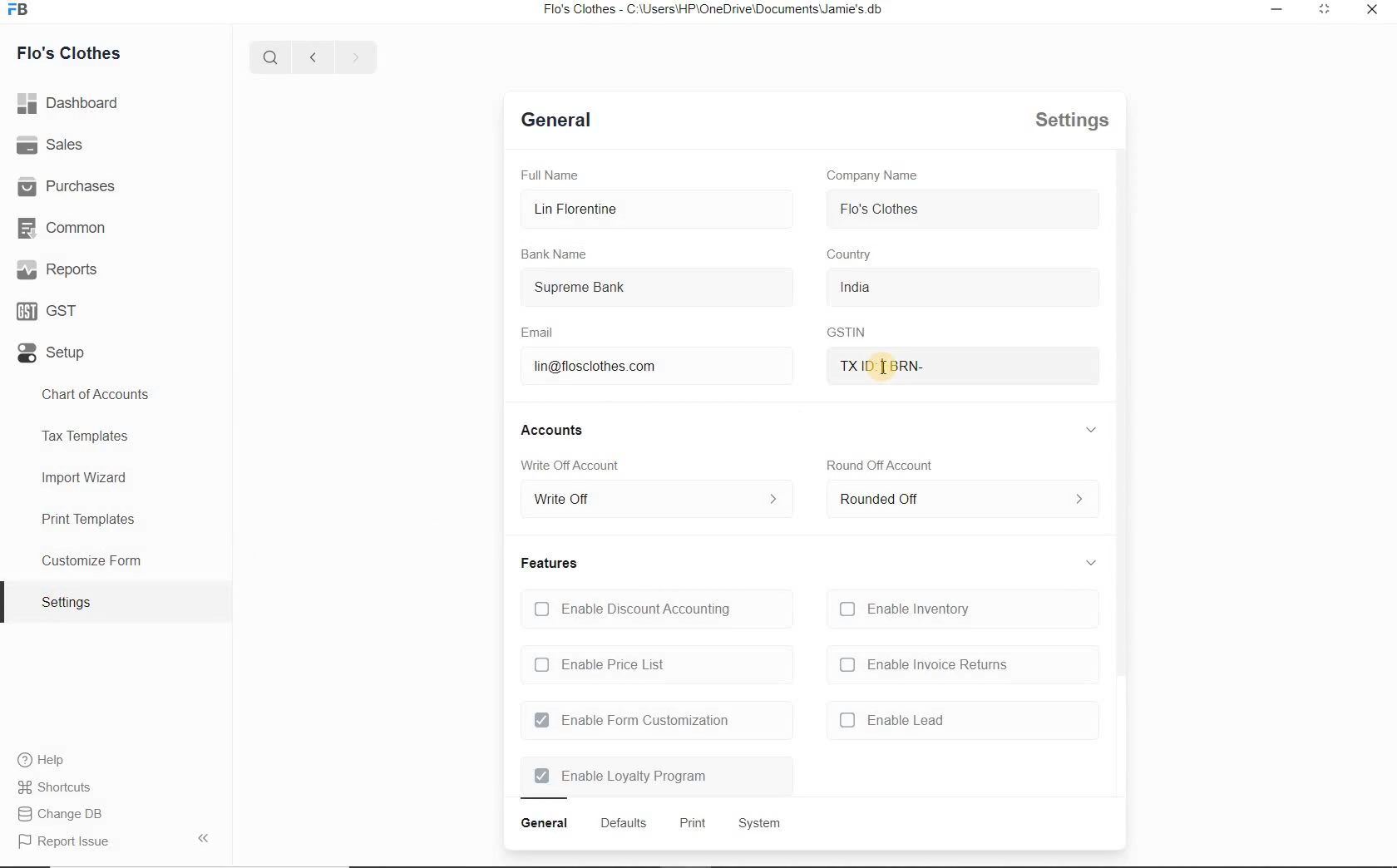 The width and height of the screenshot is (1397, 868). Describe the element at coordinates (633, 289) in the screenshot. I see `Supreme Bank` at that location.